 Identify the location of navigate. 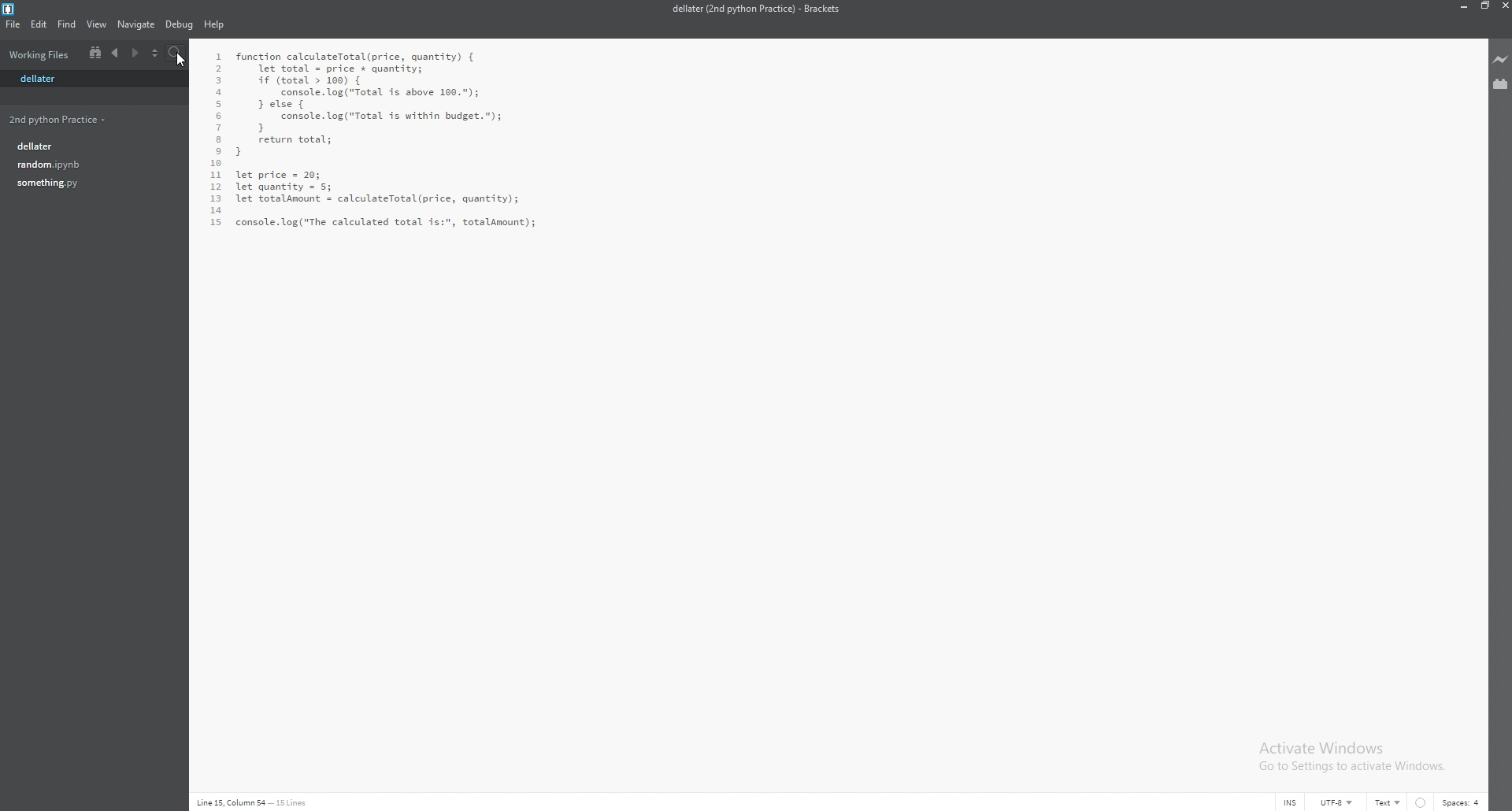
(137, 25).